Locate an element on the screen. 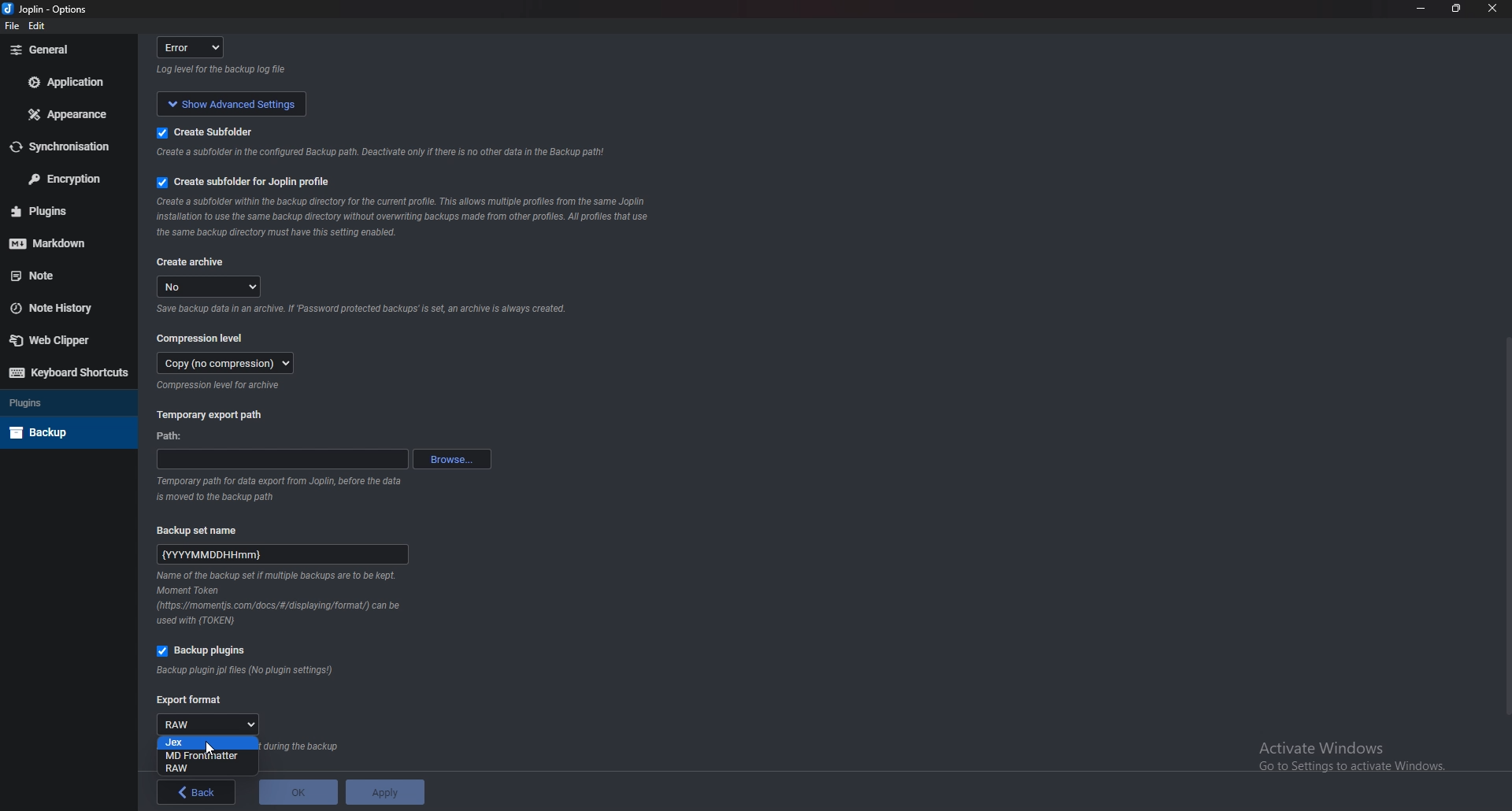 This screenshot has width=1512, height=811. close is located at coordinates (1490, 12).